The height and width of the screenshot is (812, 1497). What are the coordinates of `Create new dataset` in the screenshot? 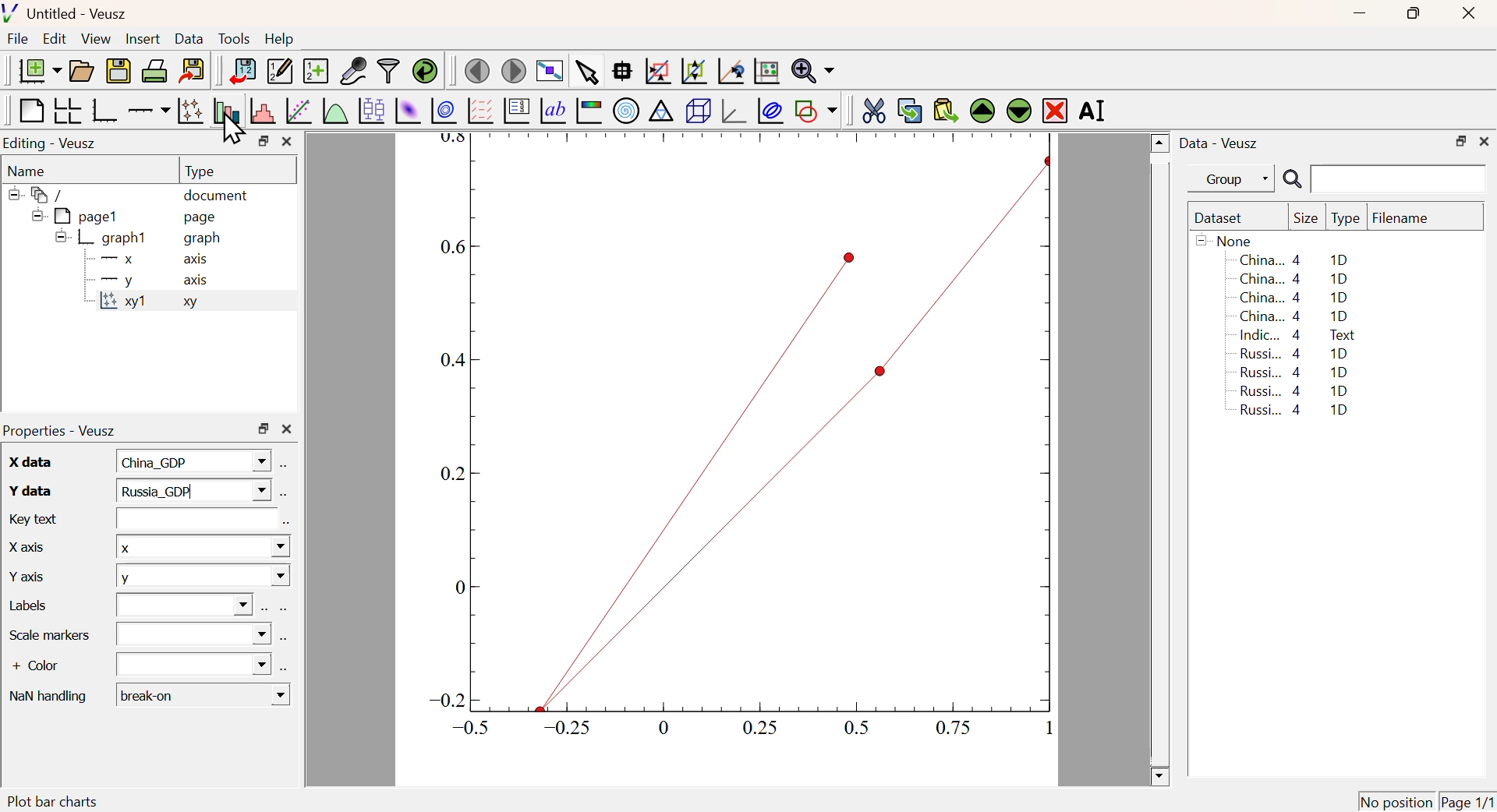 It's located at (315, 72).